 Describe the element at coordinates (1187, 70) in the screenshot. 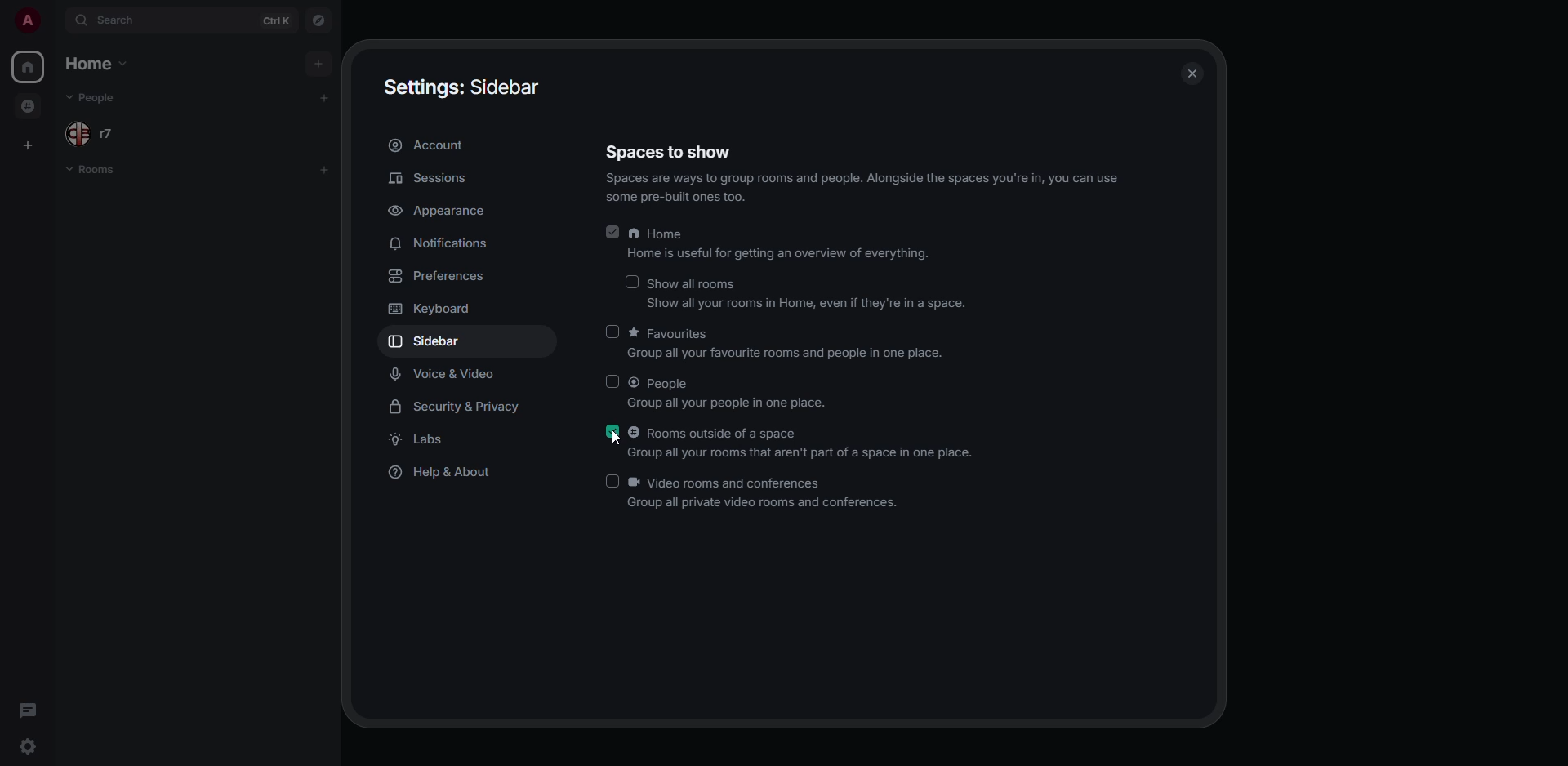

I see `close` at that location.